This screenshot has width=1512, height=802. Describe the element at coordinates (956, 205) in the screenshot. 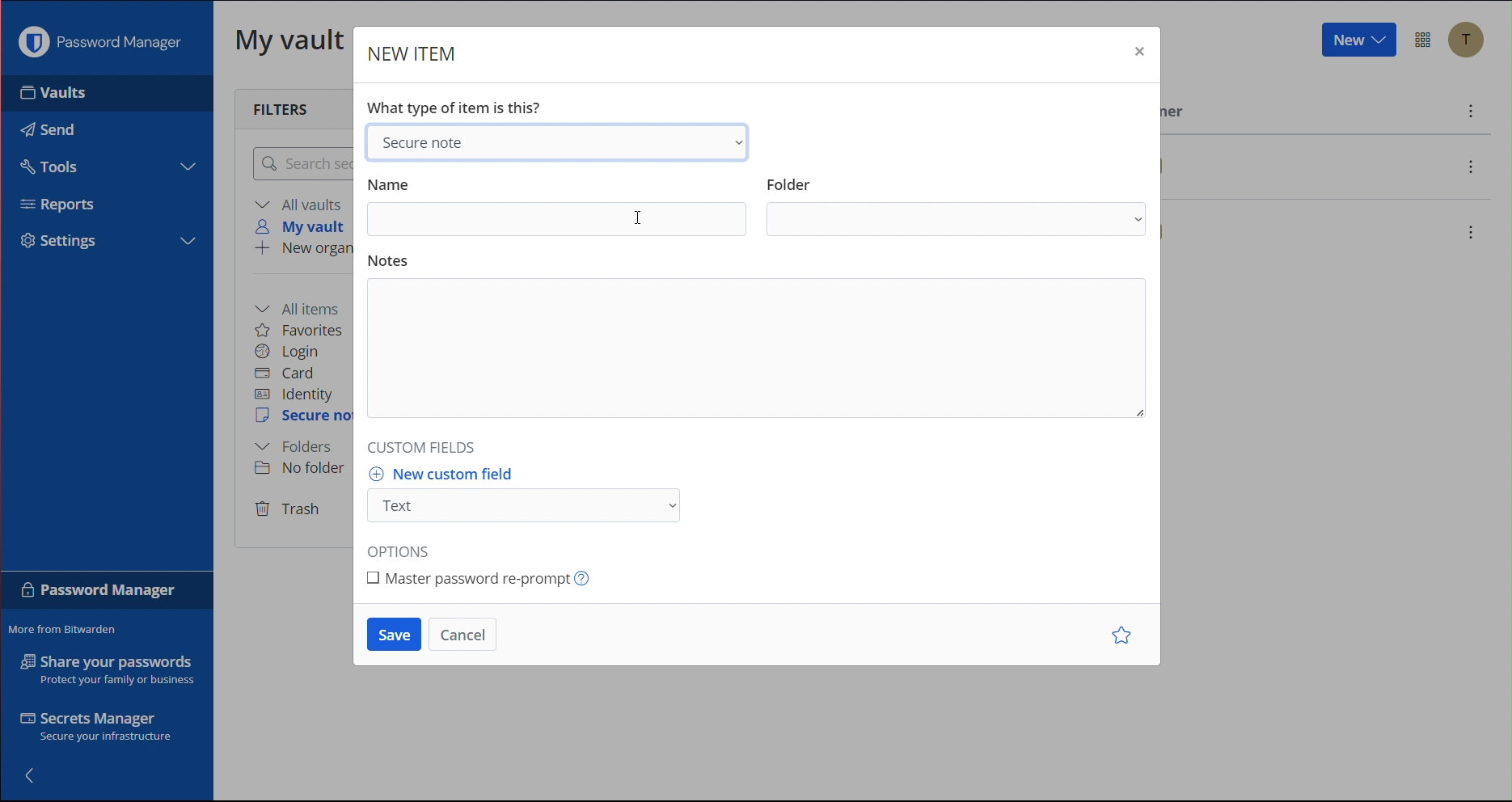

I see `Folder` at that location.